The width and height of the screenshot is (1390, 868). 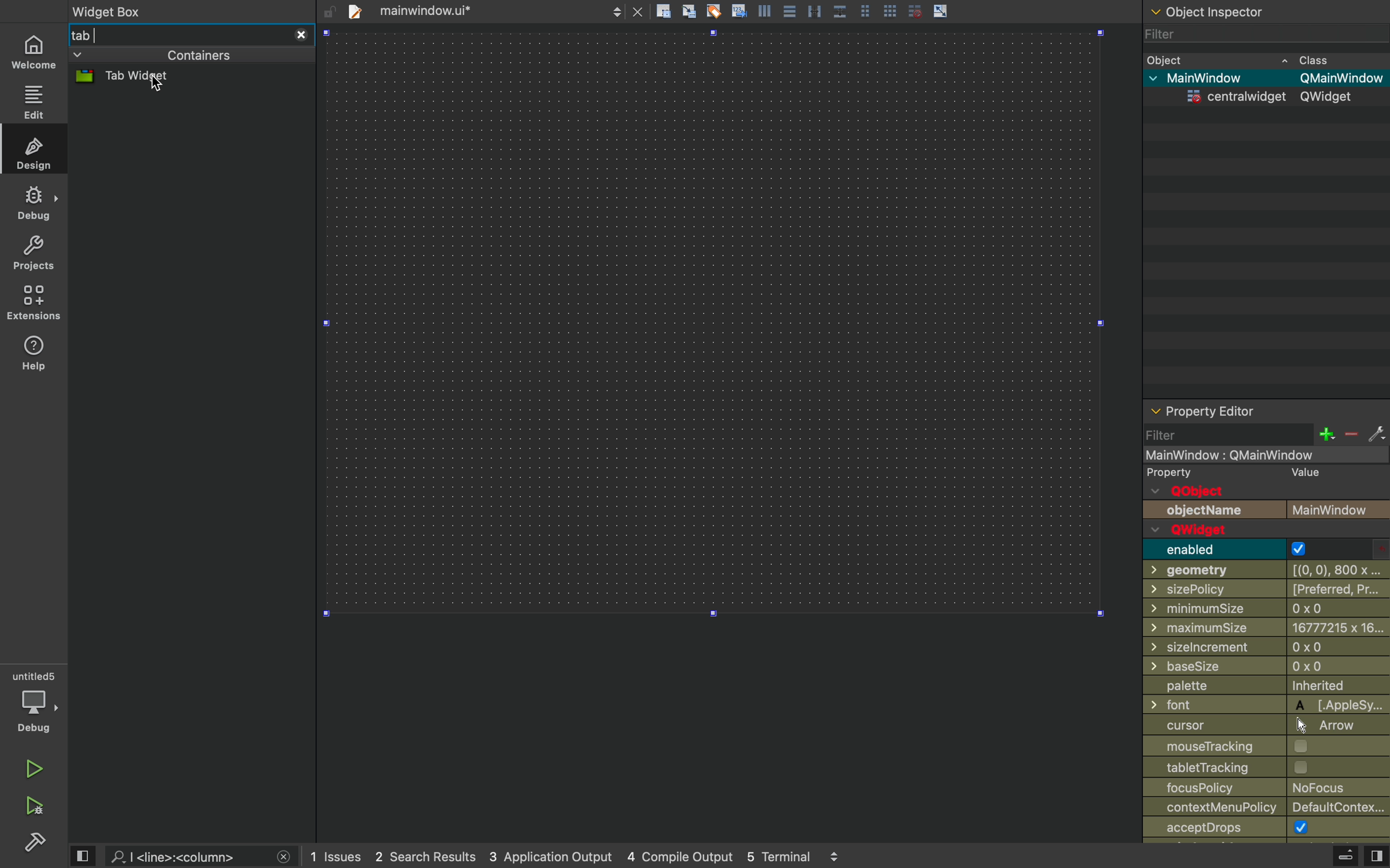 I want to click on extrude, so click(x=1346, y=858).